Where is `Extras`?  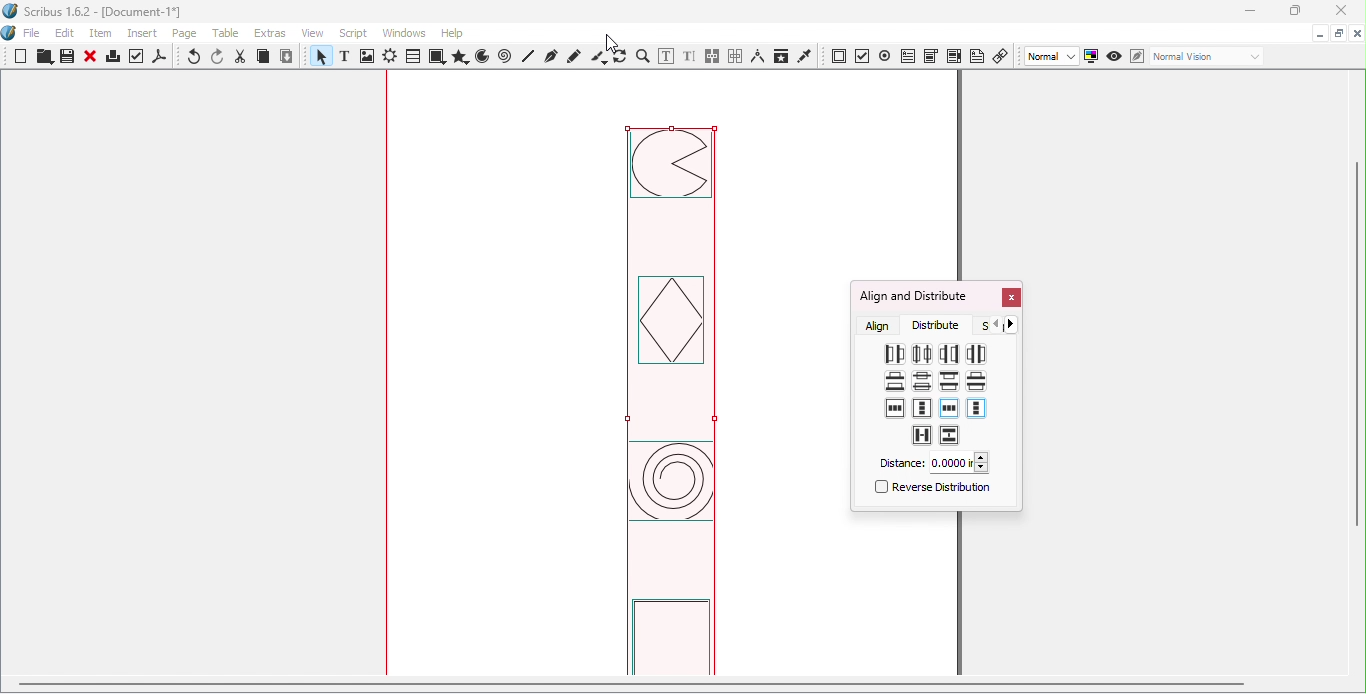
Extras is located at coordinates (273, 33).